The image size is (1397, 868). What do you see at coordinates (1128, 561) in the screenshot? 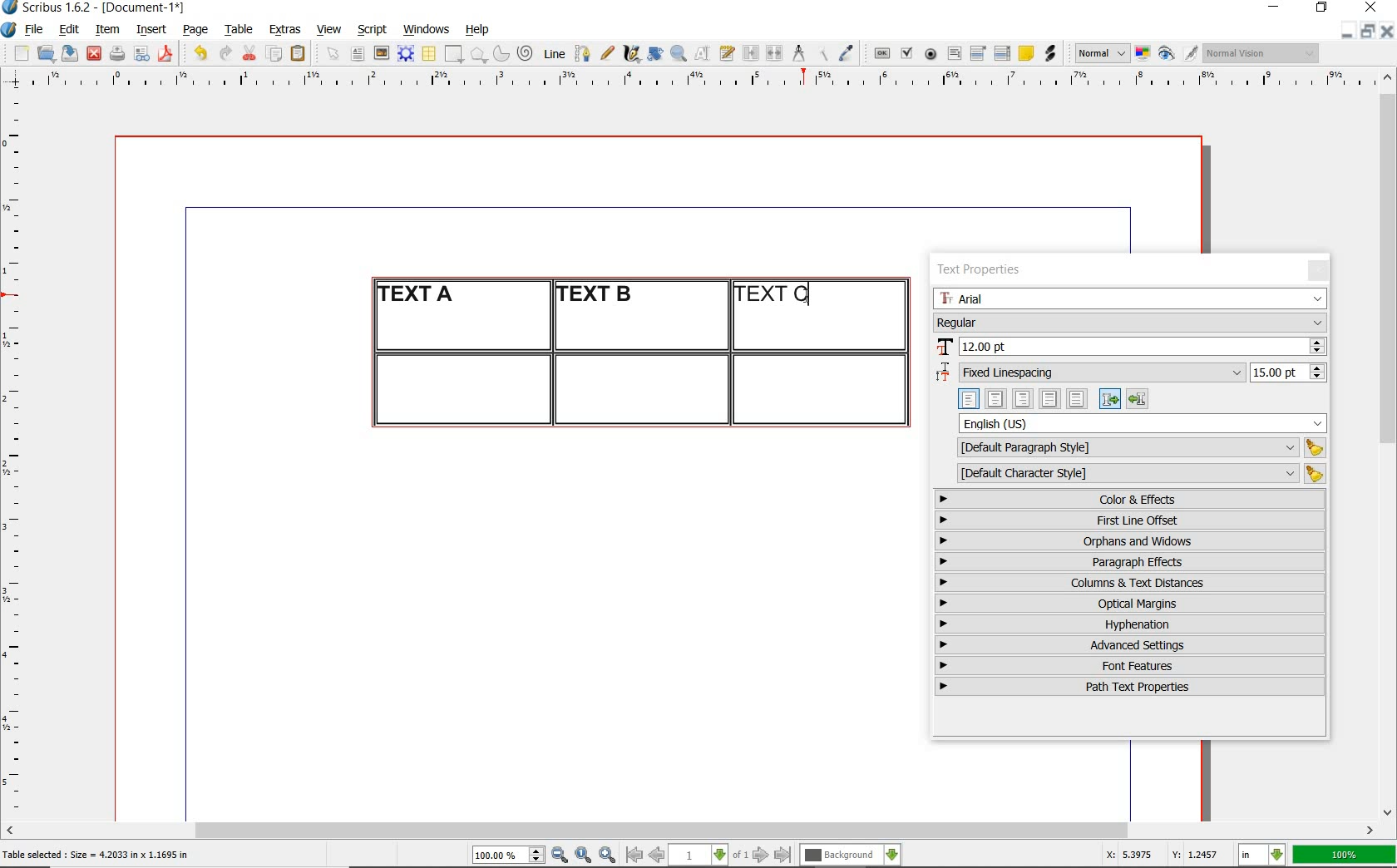
I see `paragraph effects` at bounding box center [1128, 561].